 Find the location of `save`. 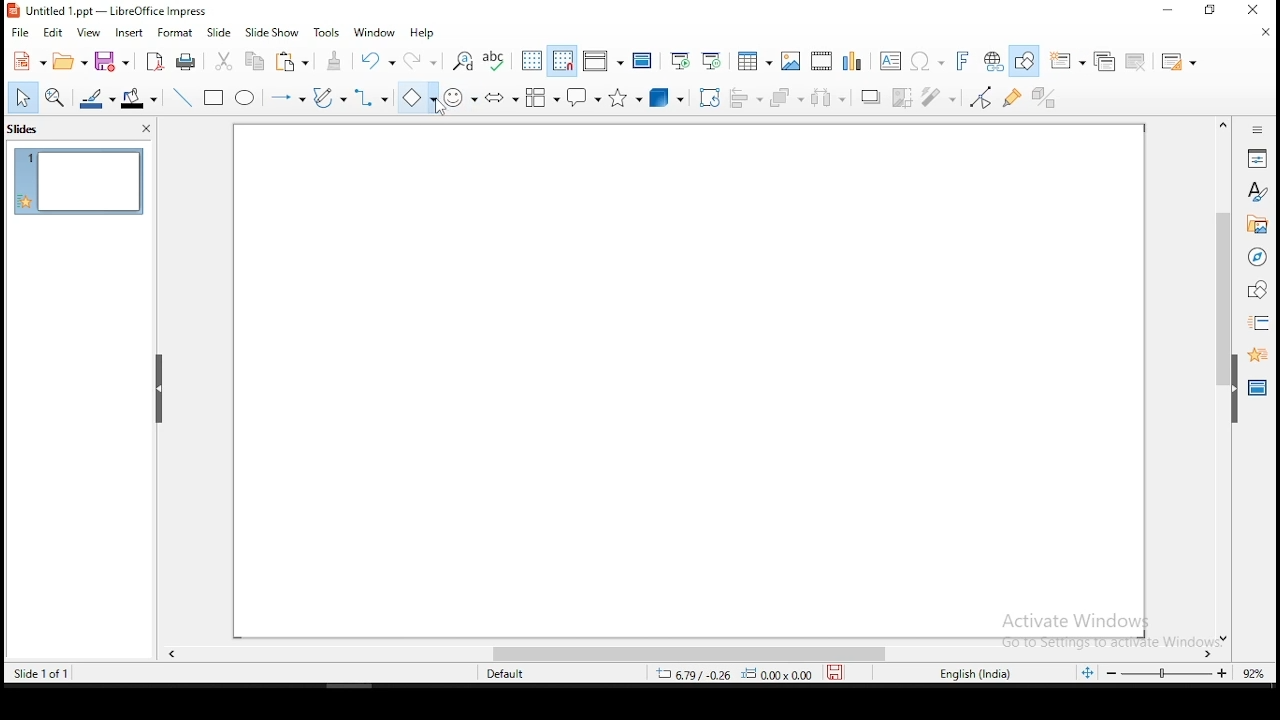

save is located at coordinates (835, 675).